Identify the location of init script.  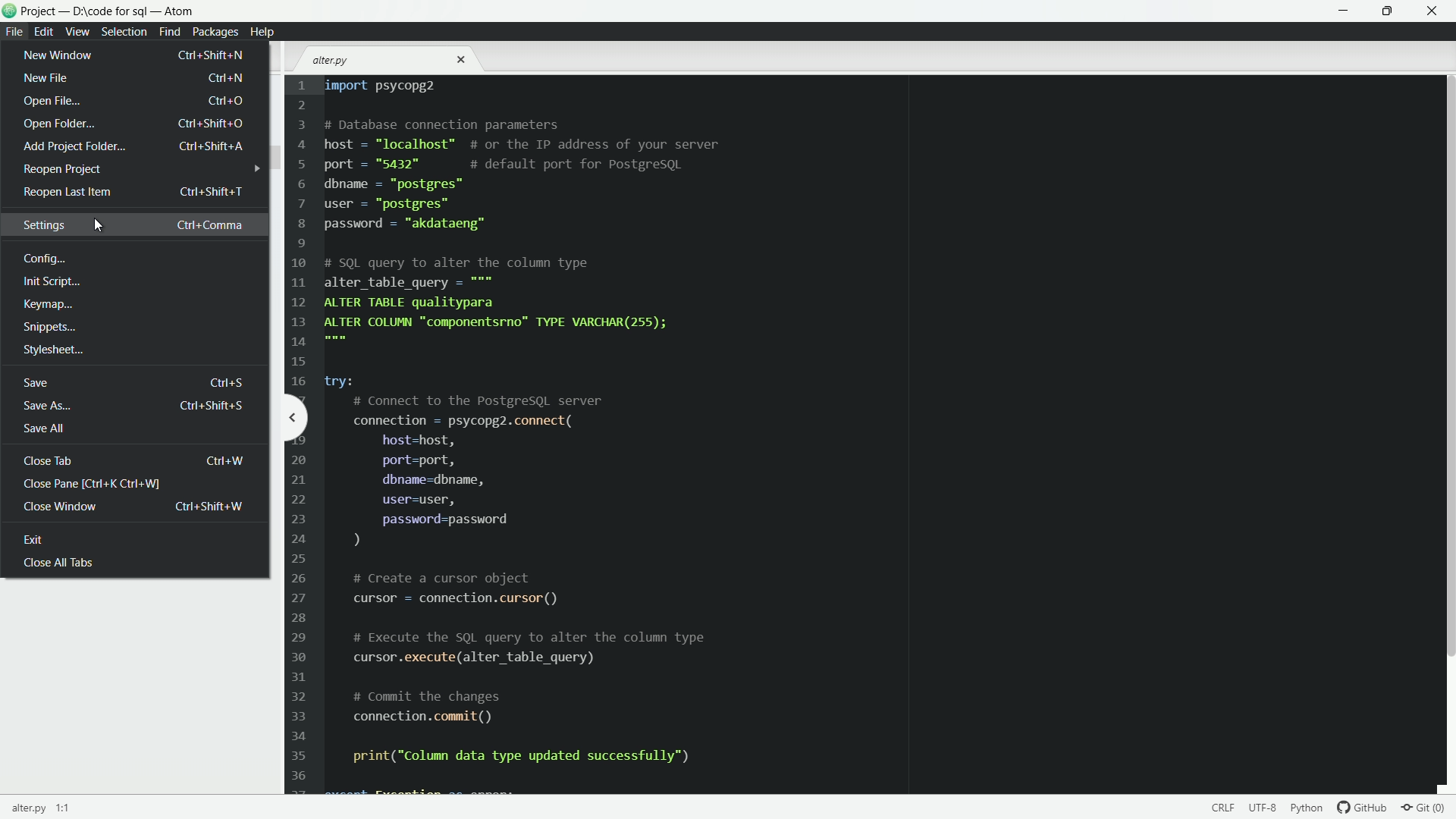
(50, 281).